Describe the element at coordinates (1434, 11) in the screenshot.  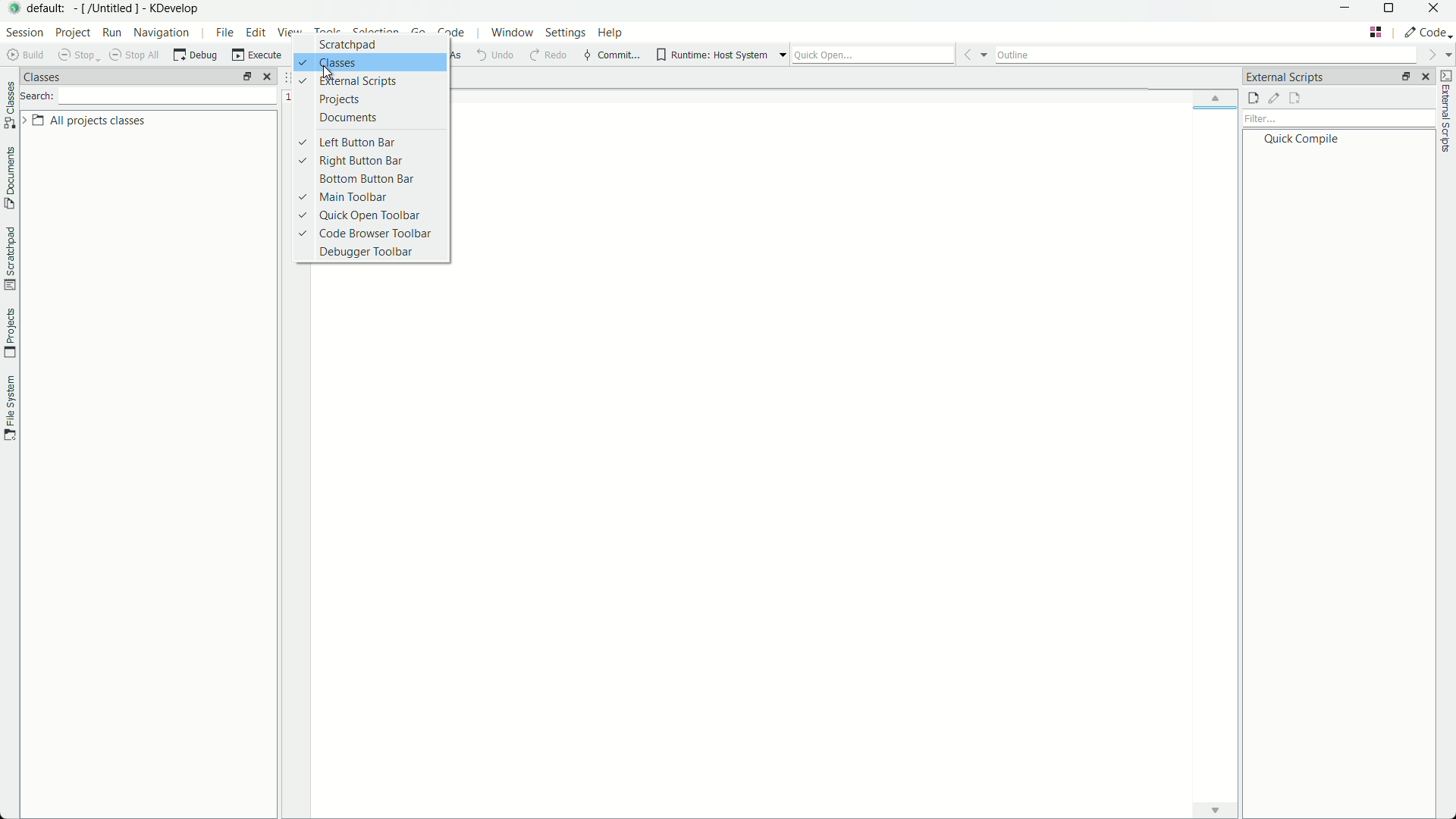
I see `close app` at that location.